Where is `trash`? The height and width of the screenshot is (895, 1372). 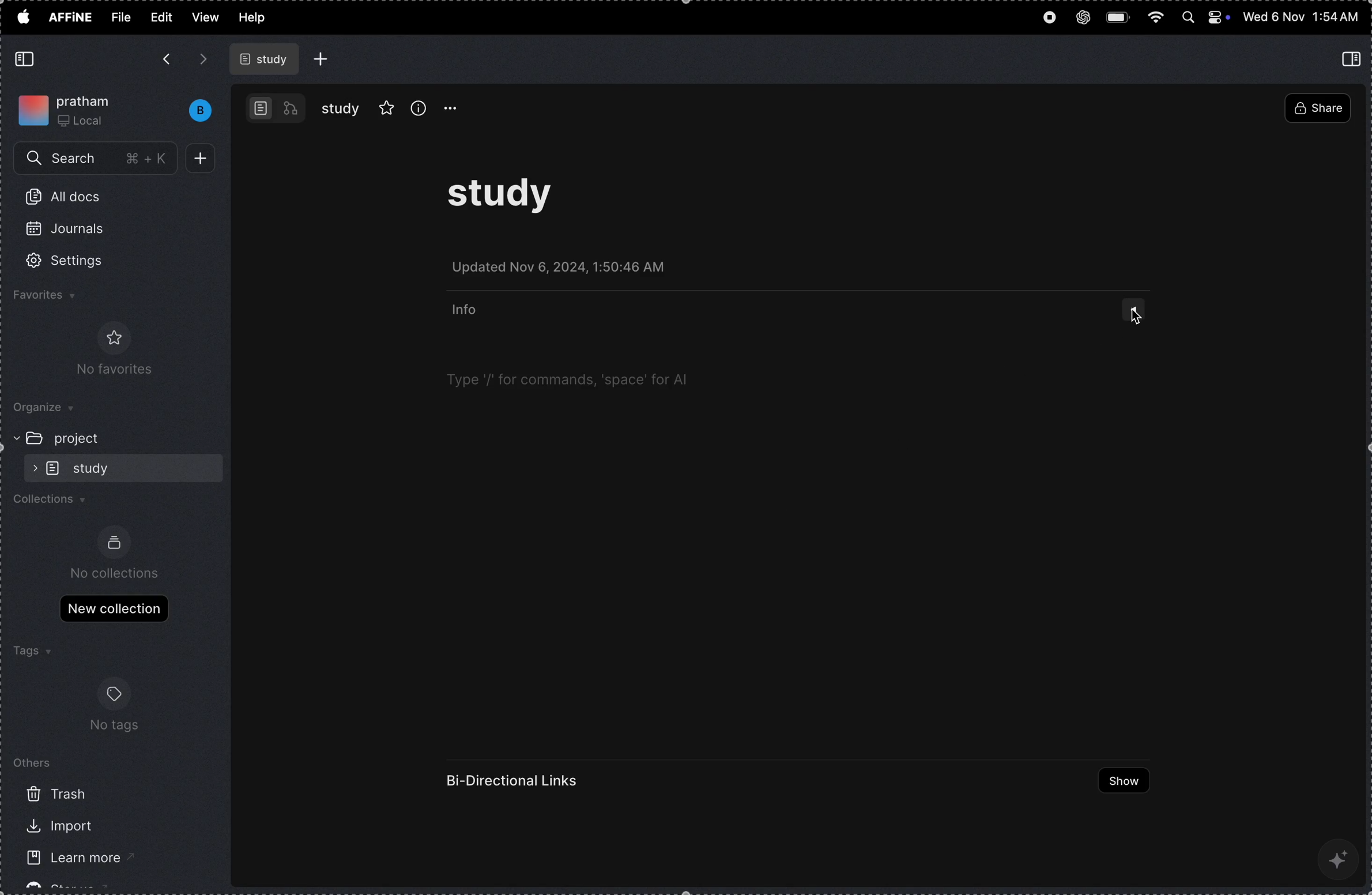
trash is located at coordinates (57, 794).